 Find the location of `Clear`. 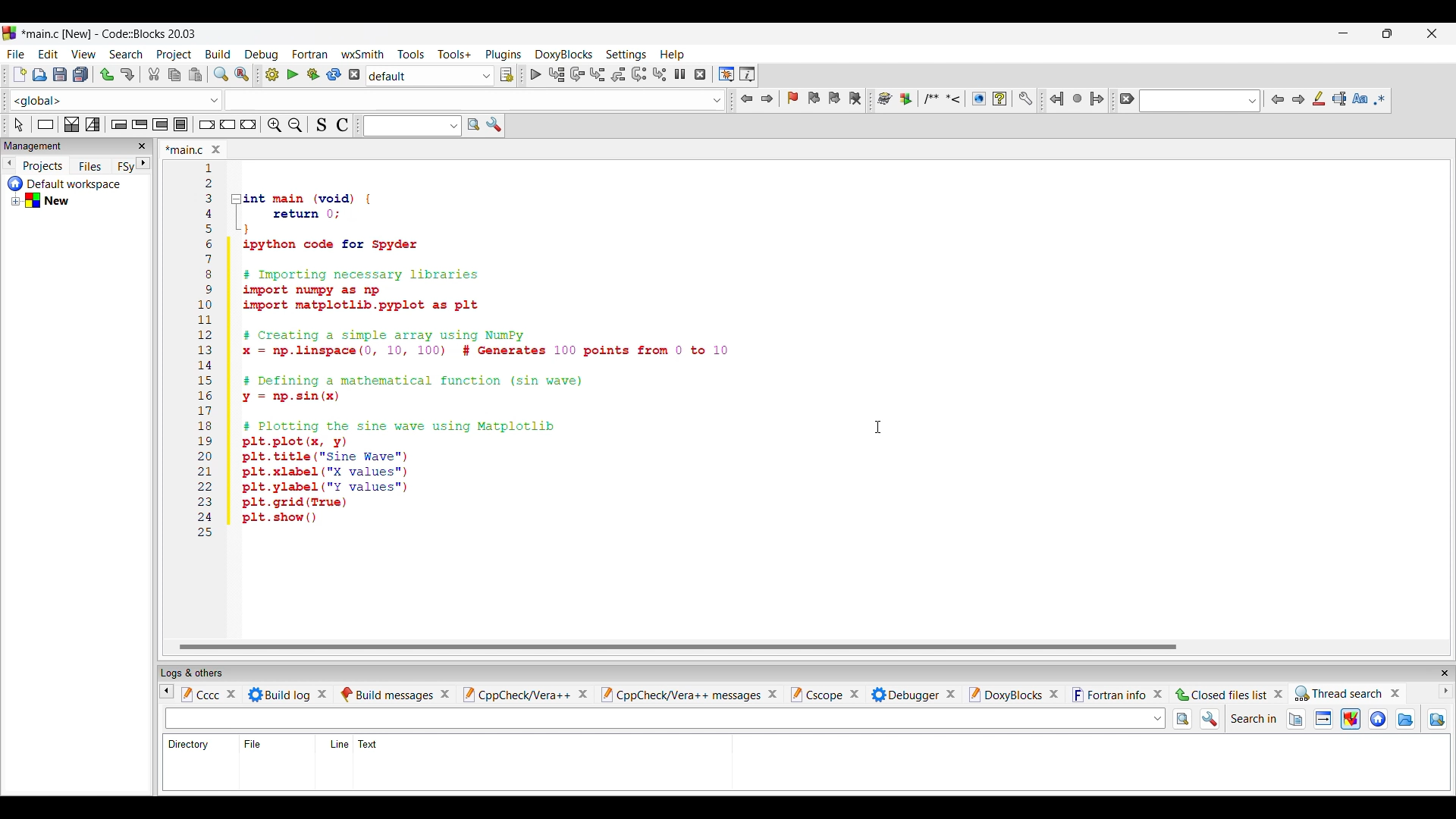

Clear is located at coordinates (18, 120).